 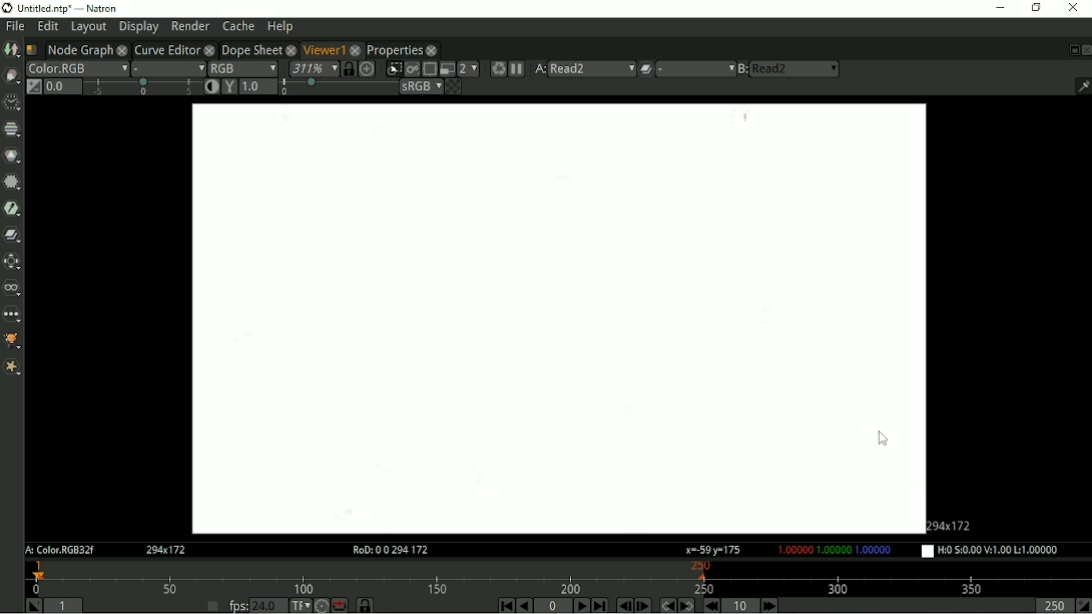 I want to click on close, so click(x=356, y=49).